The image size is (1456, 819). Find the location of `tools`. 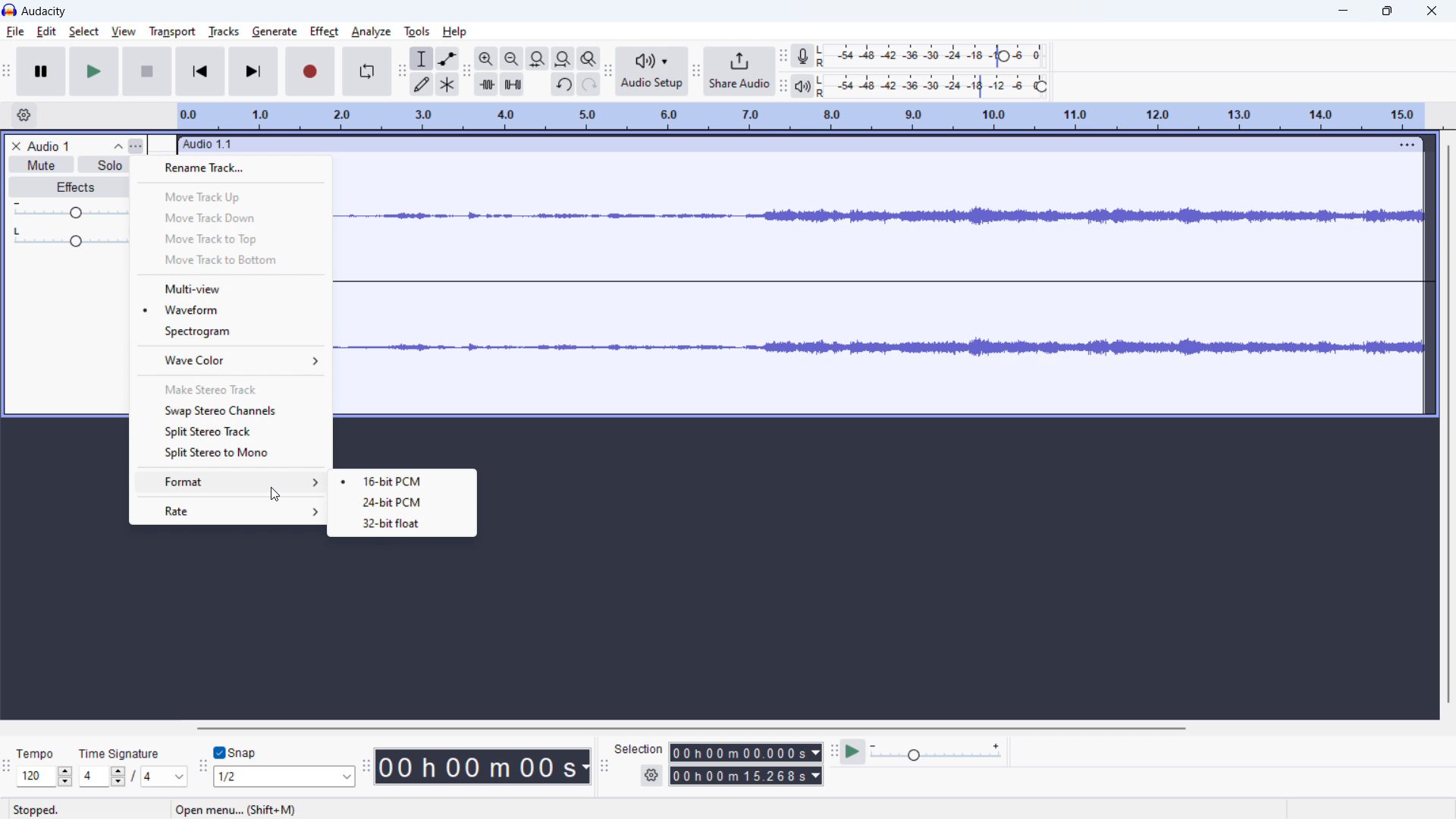

tools is located at coordinates (416, 31).